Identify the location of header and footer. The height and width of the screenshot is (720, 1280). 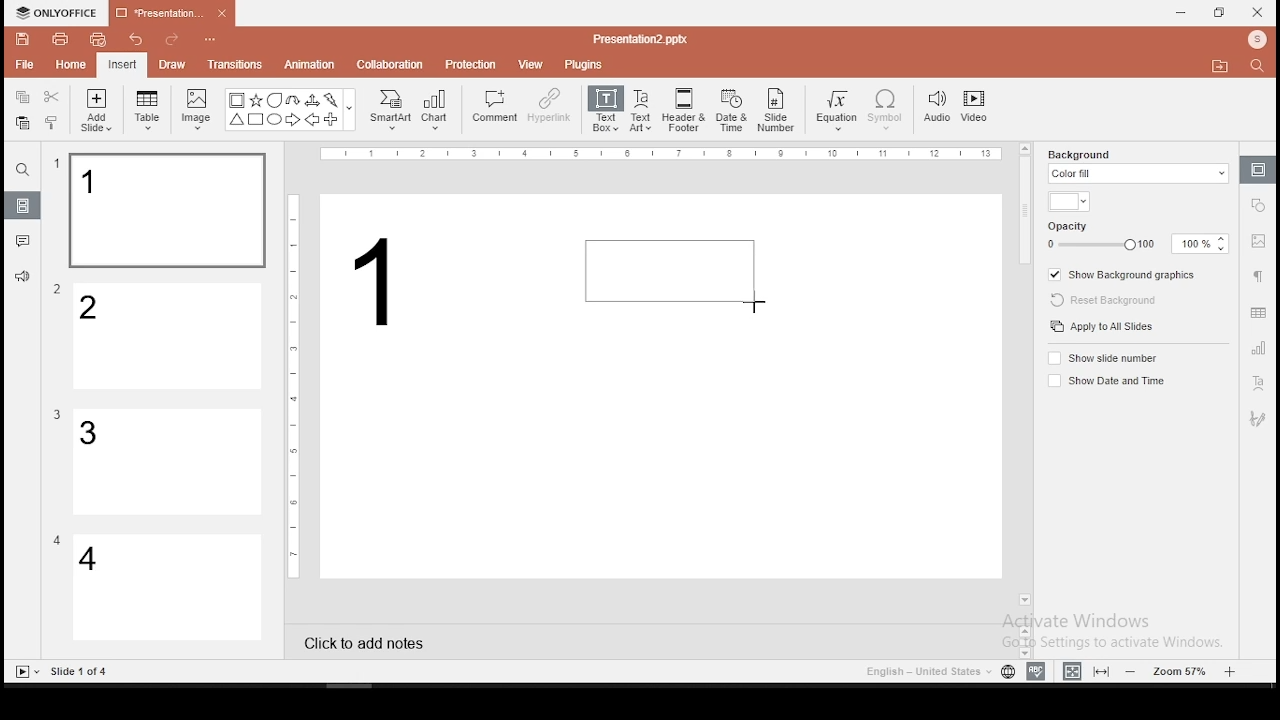
(686, 111).